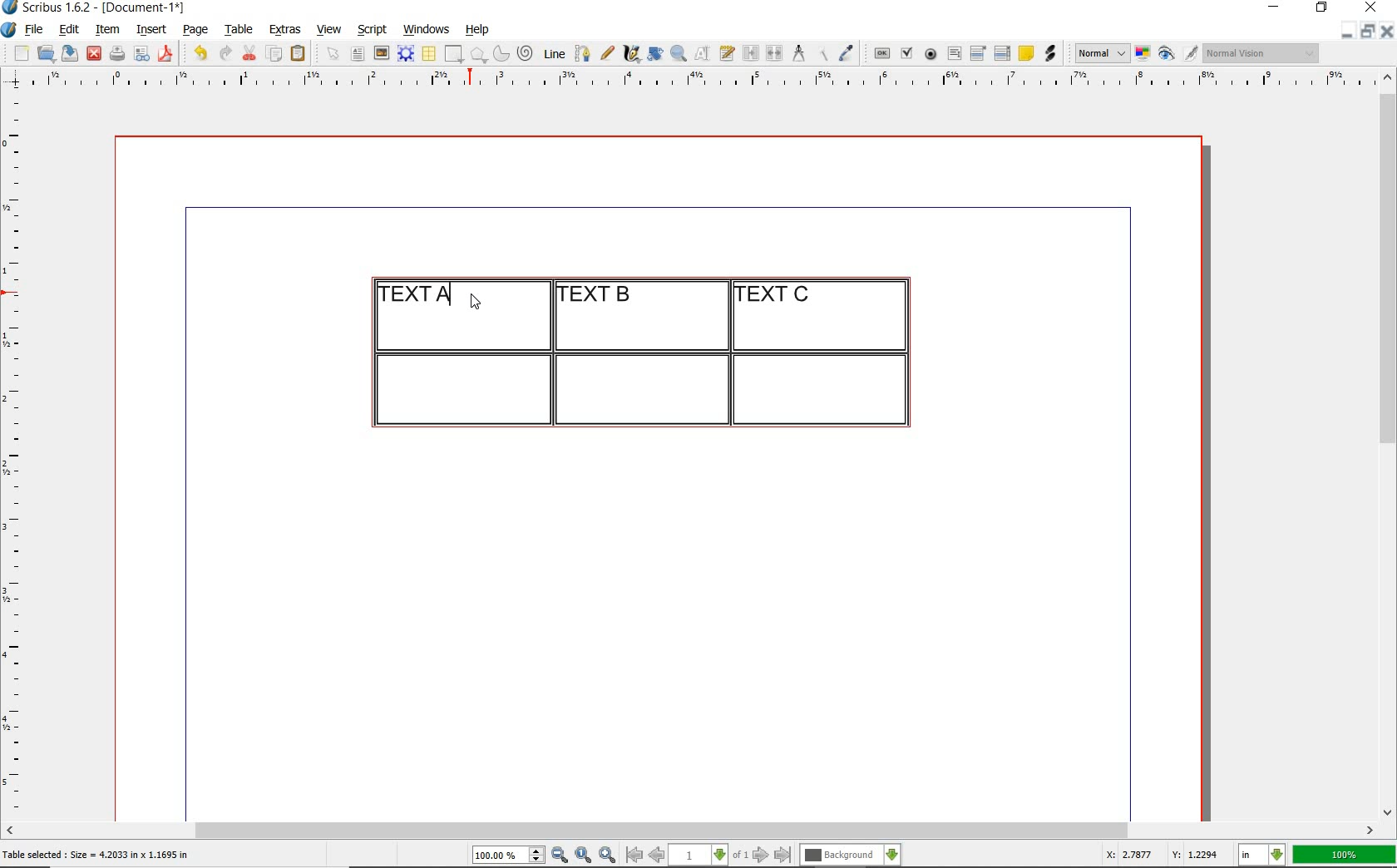 The width and height of the screenshot is (1397, 868). Describe the element at coordinates (709, 81) in the screenshot. I see `ruler` at that location.